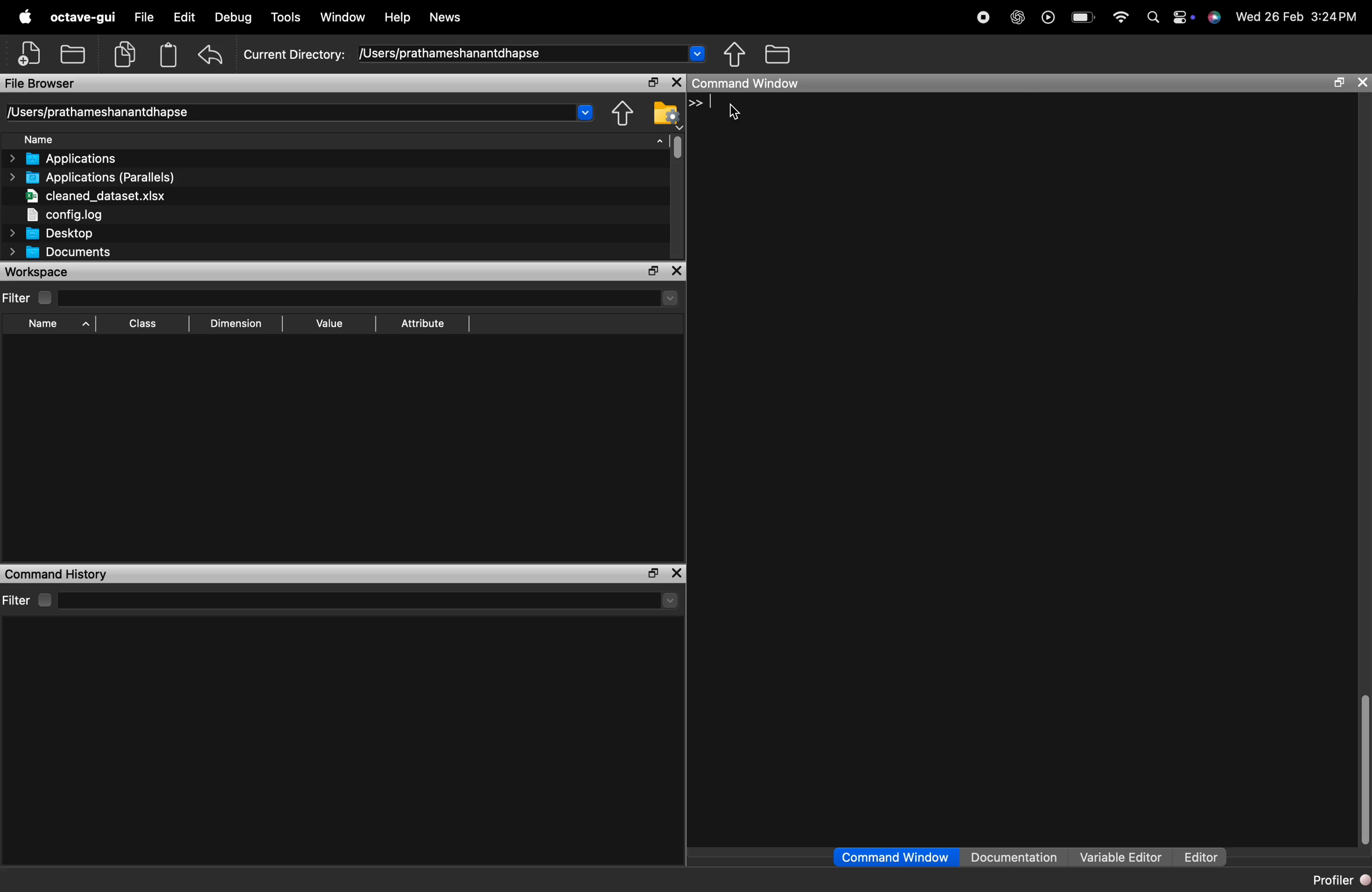 This screenshot has width=1372, height=892. Describe the element at coordinates (45, 271) in the screenshot. I see `Workspace` at that location.